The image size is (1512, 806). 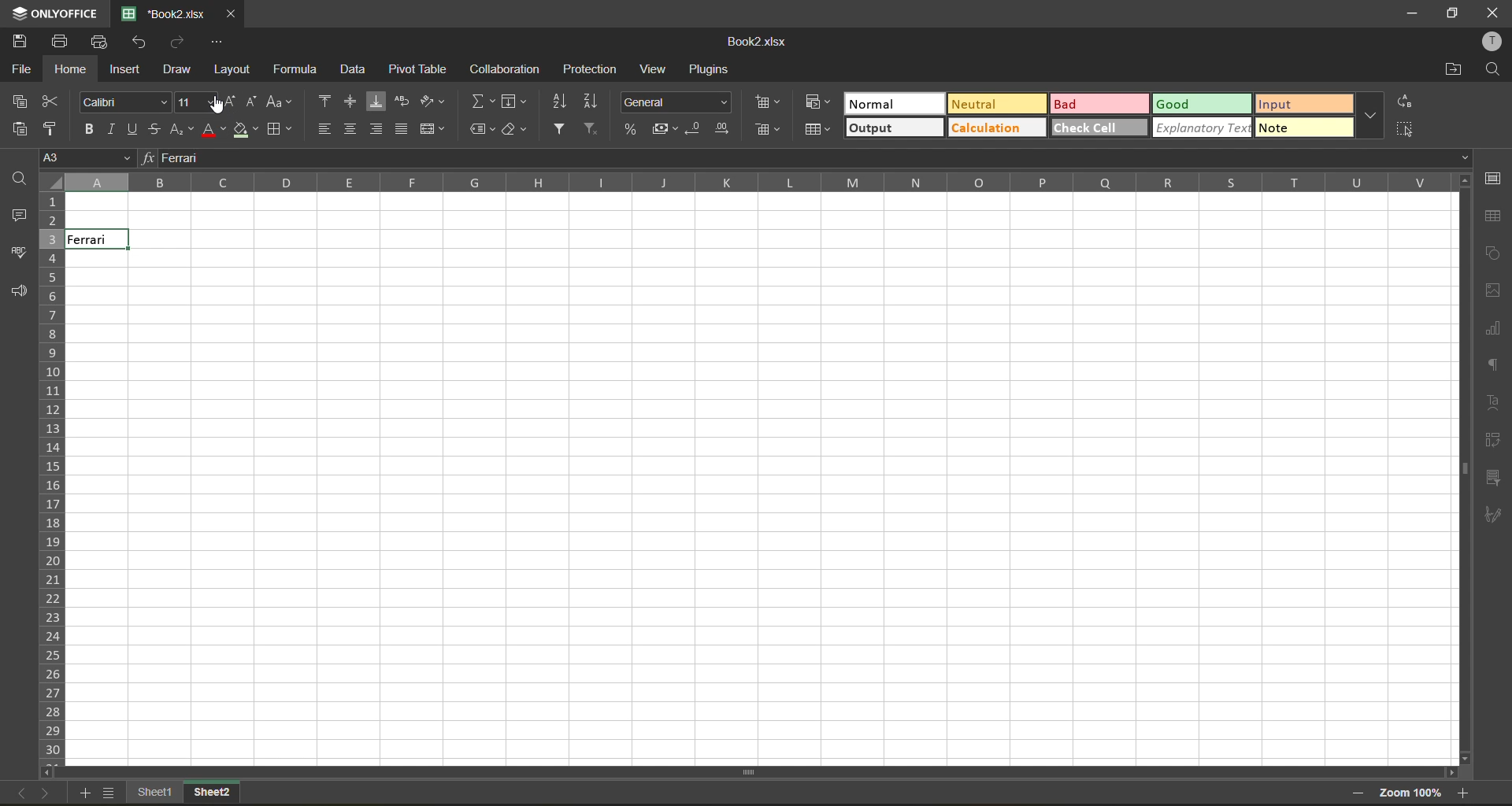 I want to click on shapes, so click(x=1493, y=253).